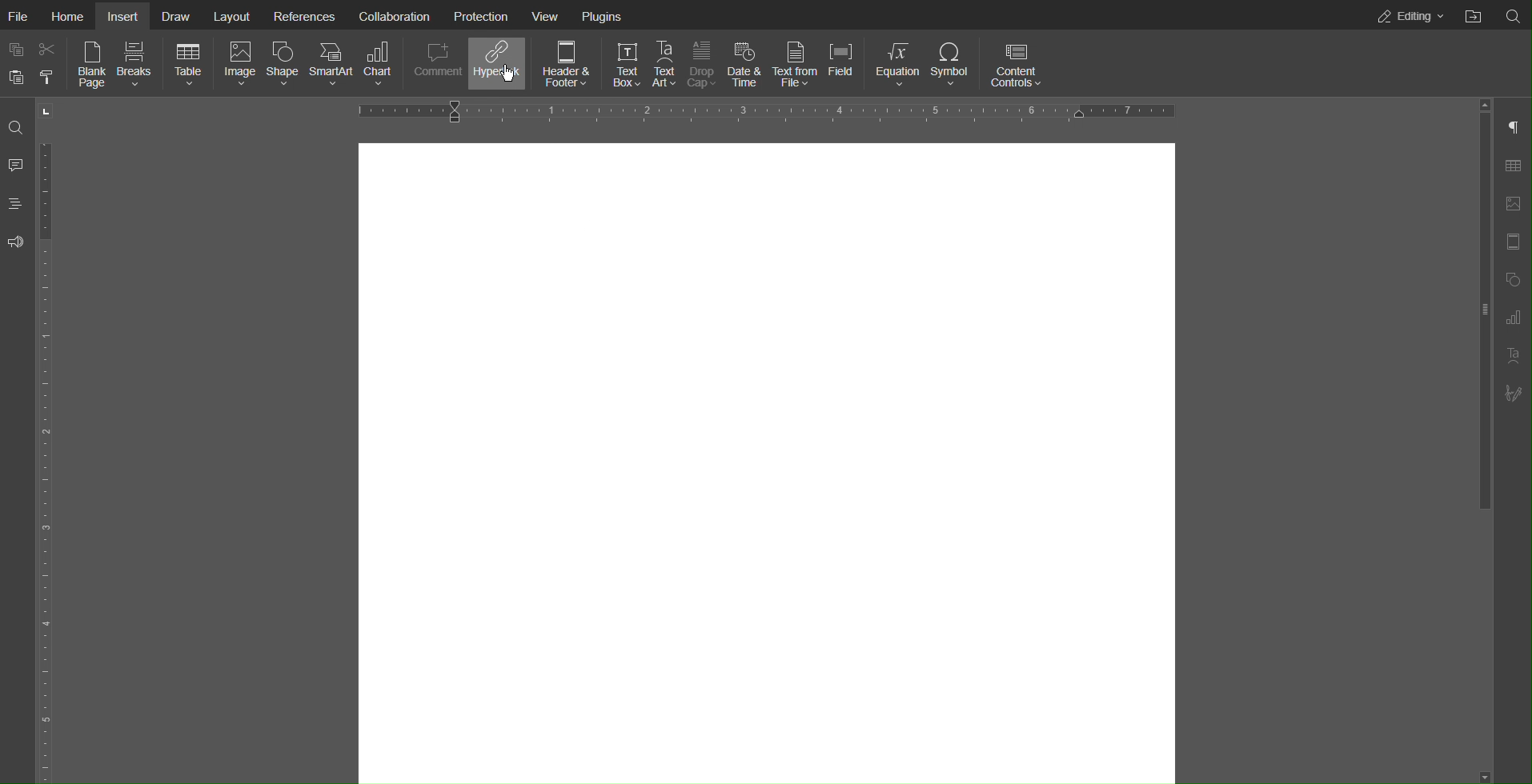  I want to click on Home, so click(71, 16).